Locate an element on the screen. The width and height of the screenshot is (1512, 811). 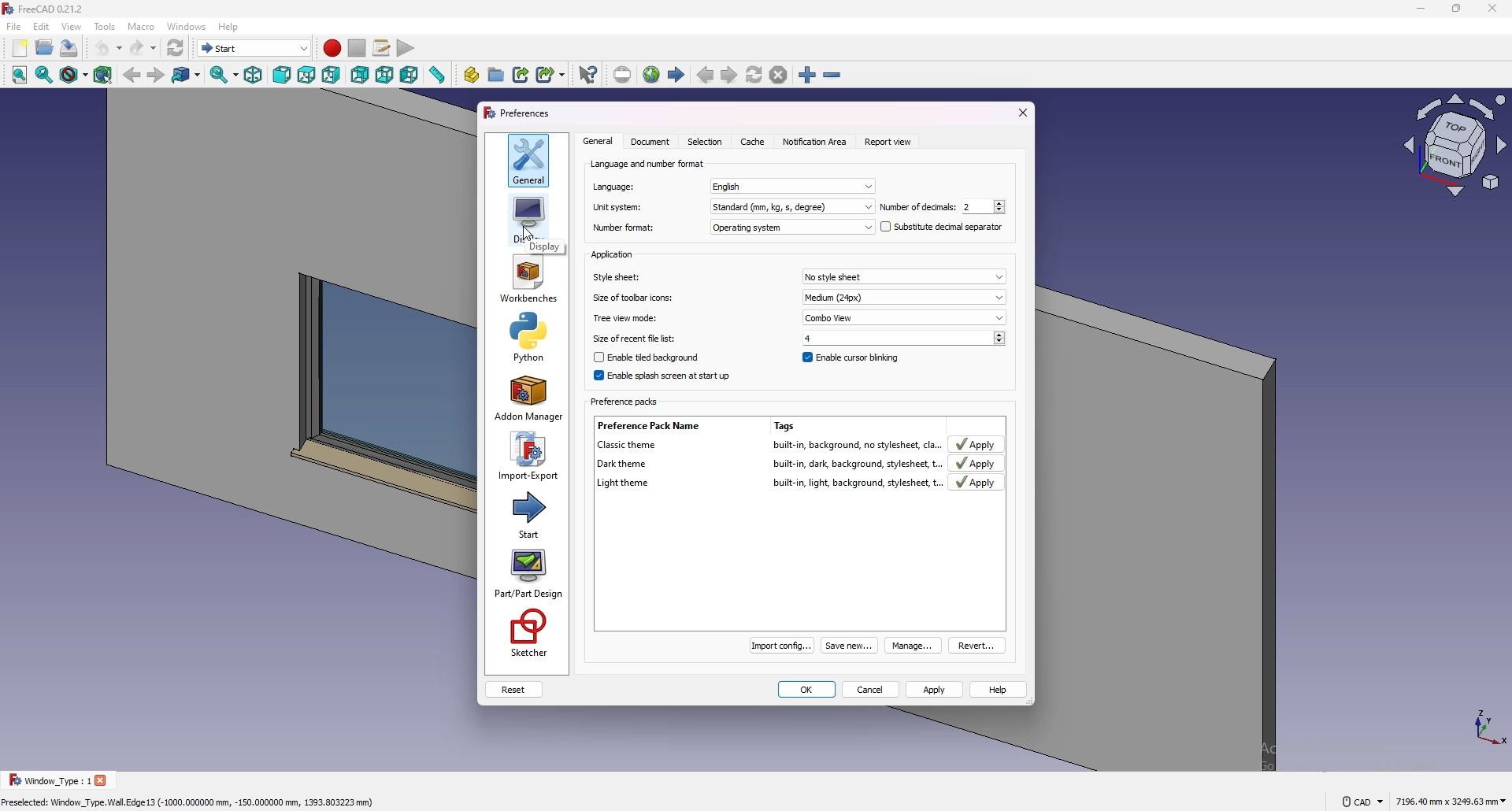
create part is located at coordinates (472, 75).